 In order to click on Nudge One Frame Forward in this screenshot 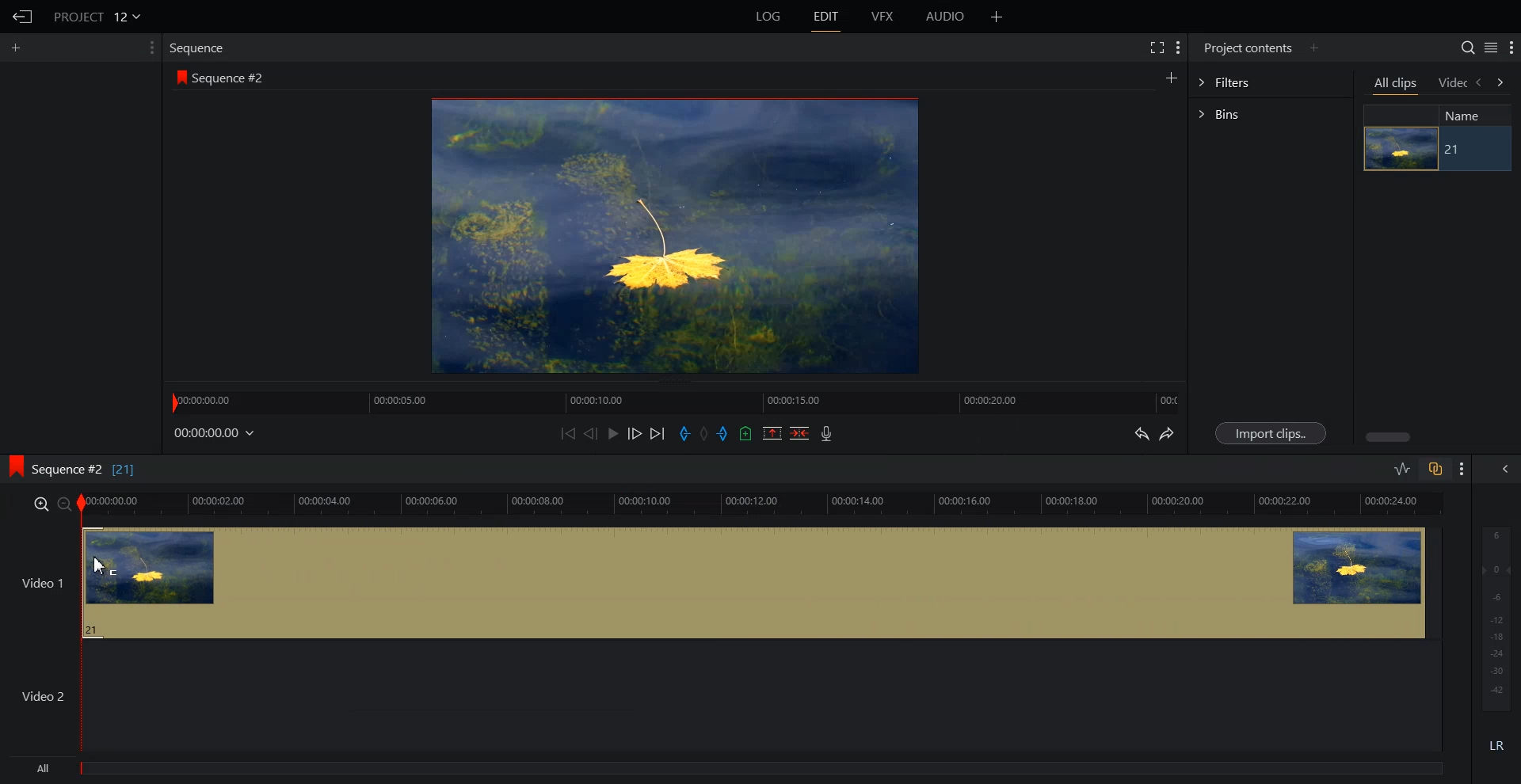, I will do `click(635, 434)`.